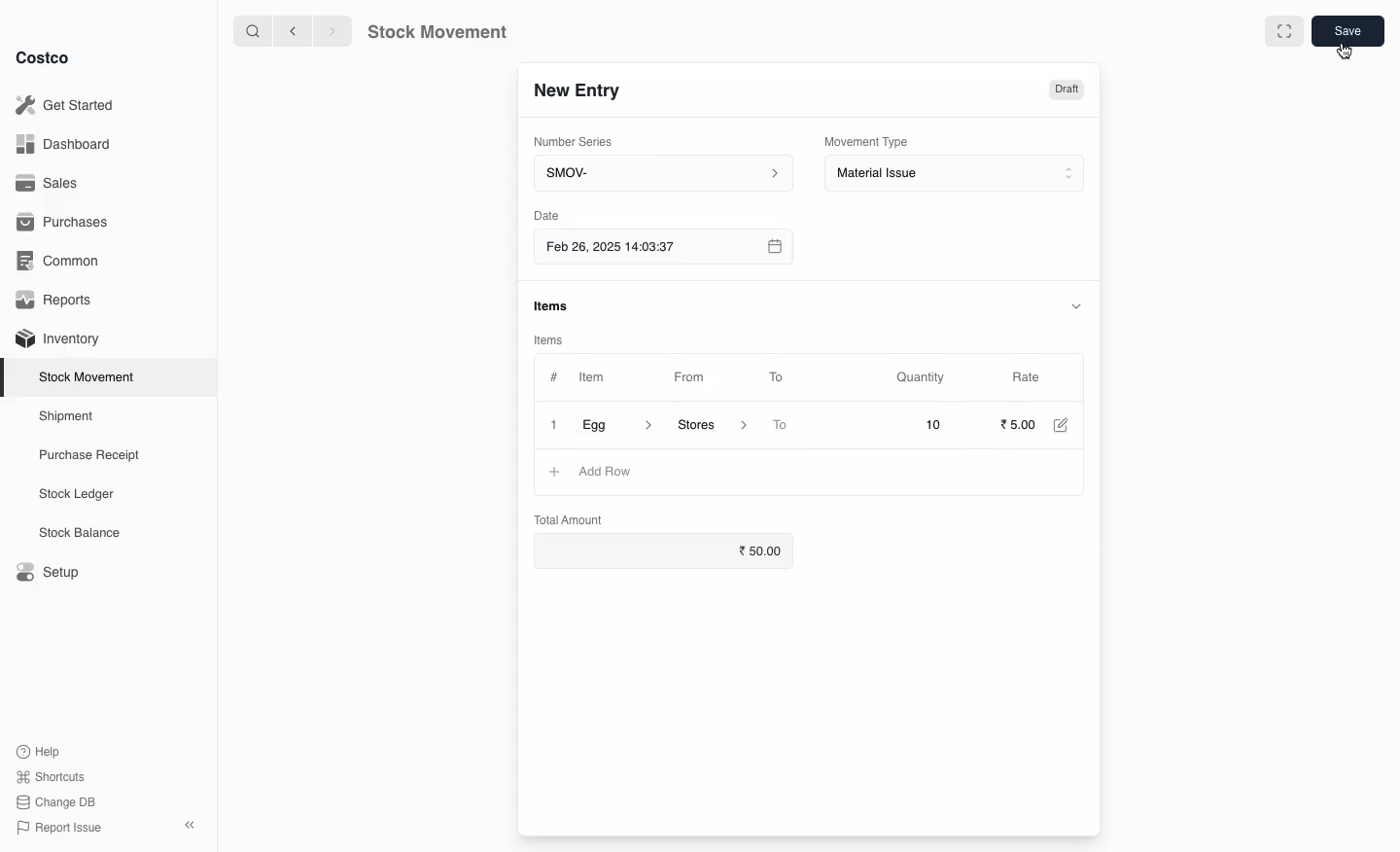  Describe the element at coordinates (90, 376) in the screenshot. I see `Stock Movement` at that location.